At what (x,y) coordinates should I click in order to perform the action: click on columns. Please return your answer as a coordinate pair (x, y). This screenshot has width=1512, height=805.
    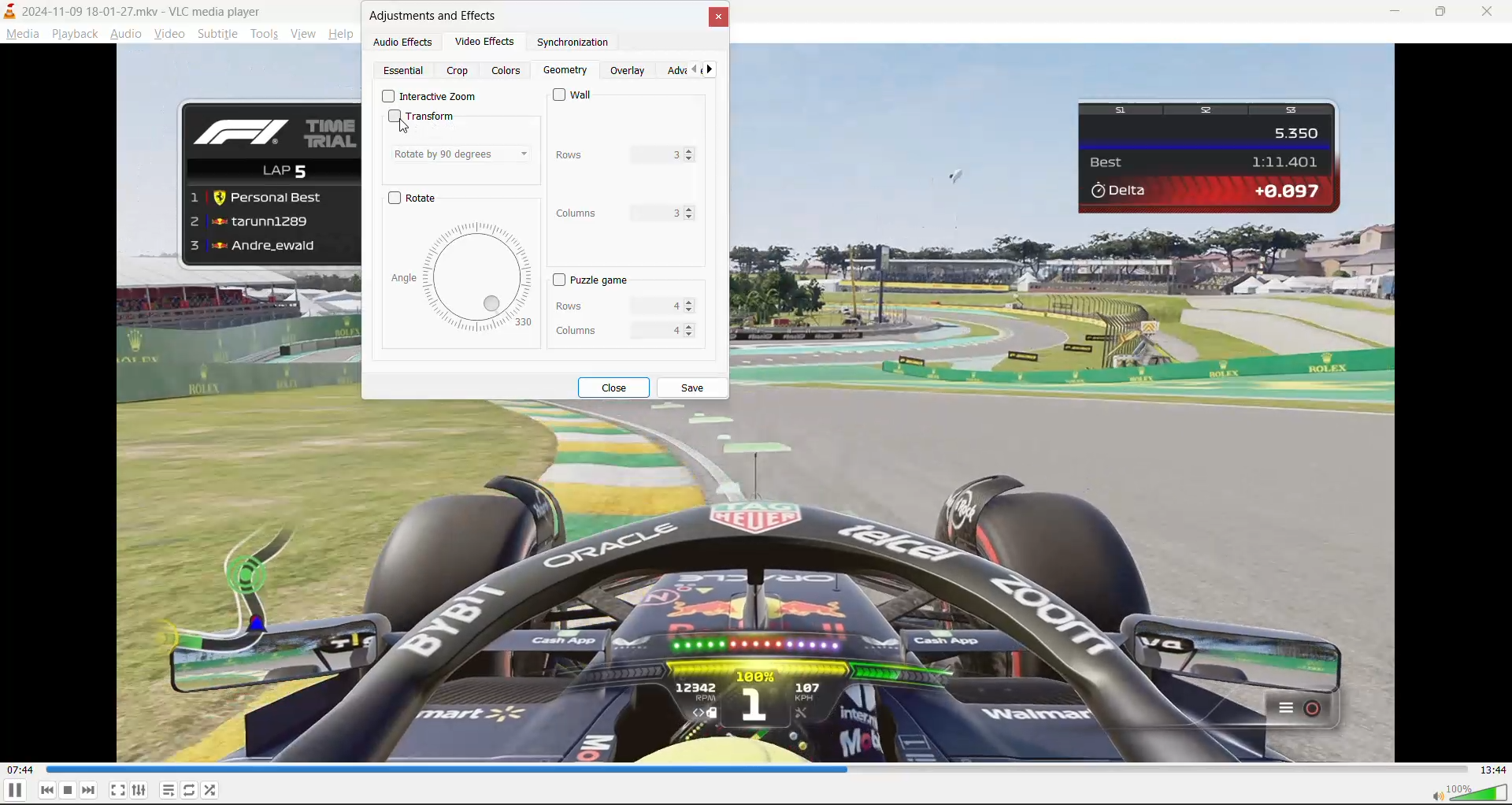
    Looking at the image, I should click on (617, 216).